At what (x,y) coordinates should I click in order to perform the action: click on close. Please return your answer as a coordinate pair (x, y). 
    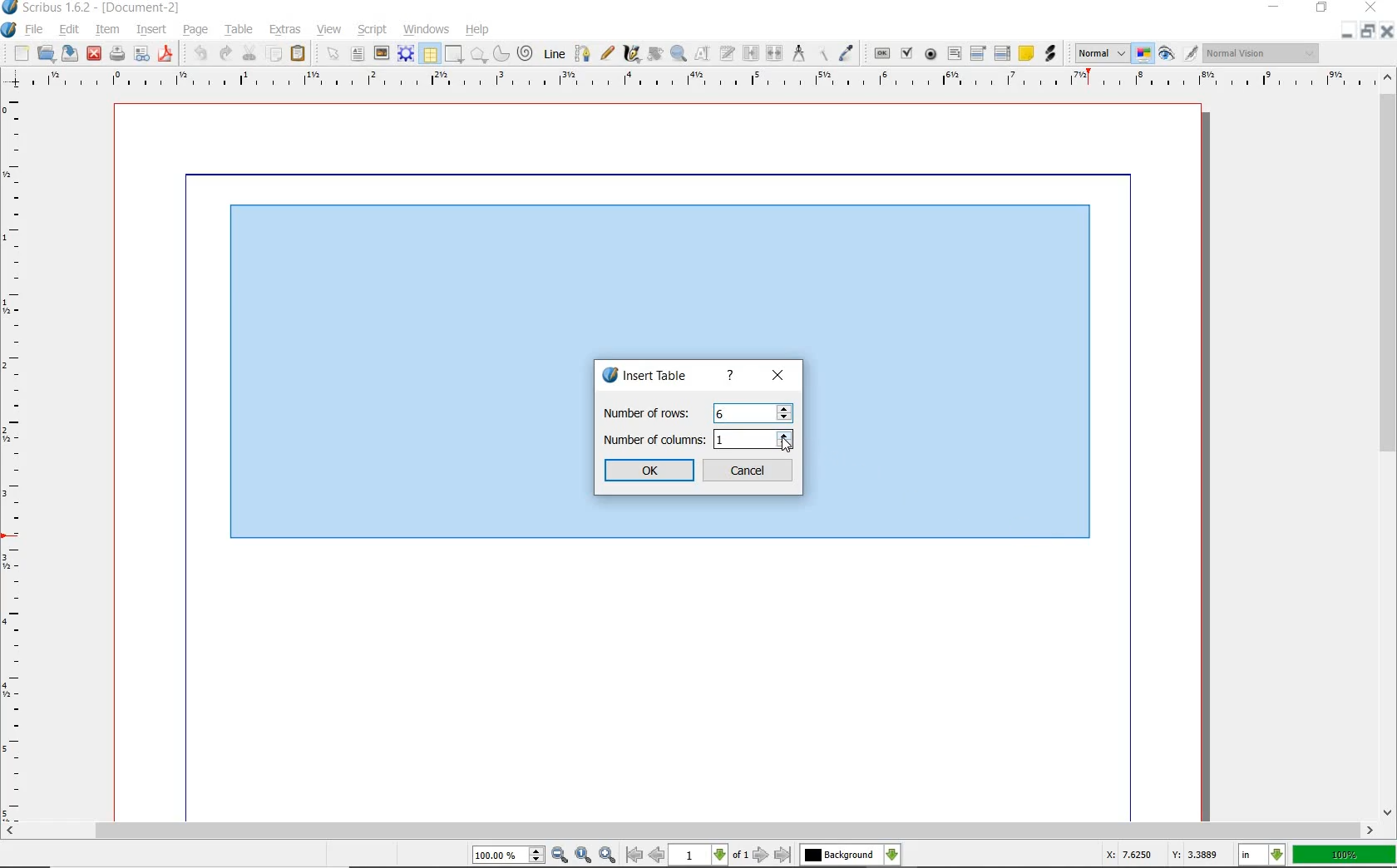
    Looking at the image, I should click on (1389, 32).